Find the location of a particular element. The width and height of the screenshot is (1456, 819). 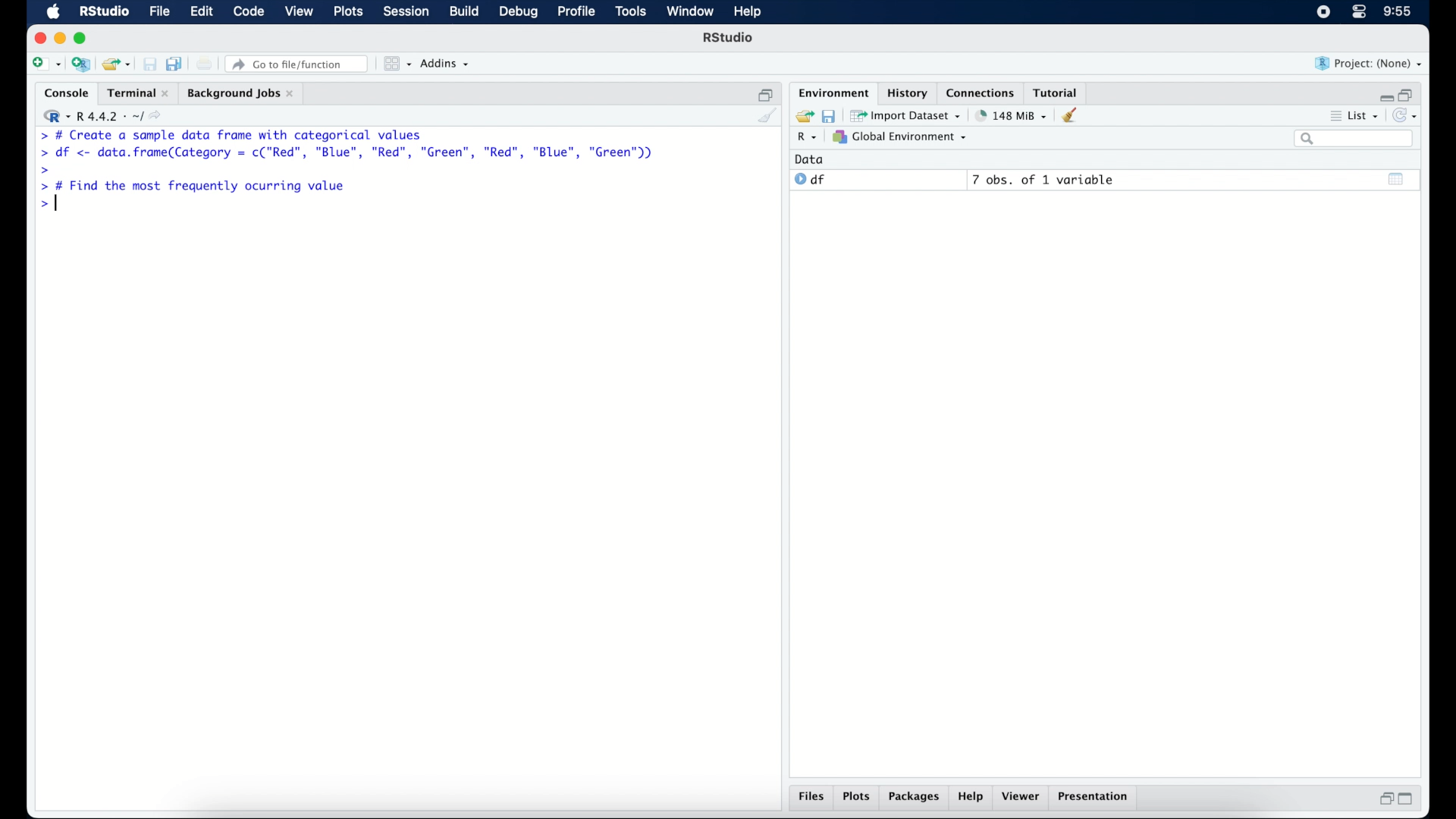

code is located at coordinates (249, 12).